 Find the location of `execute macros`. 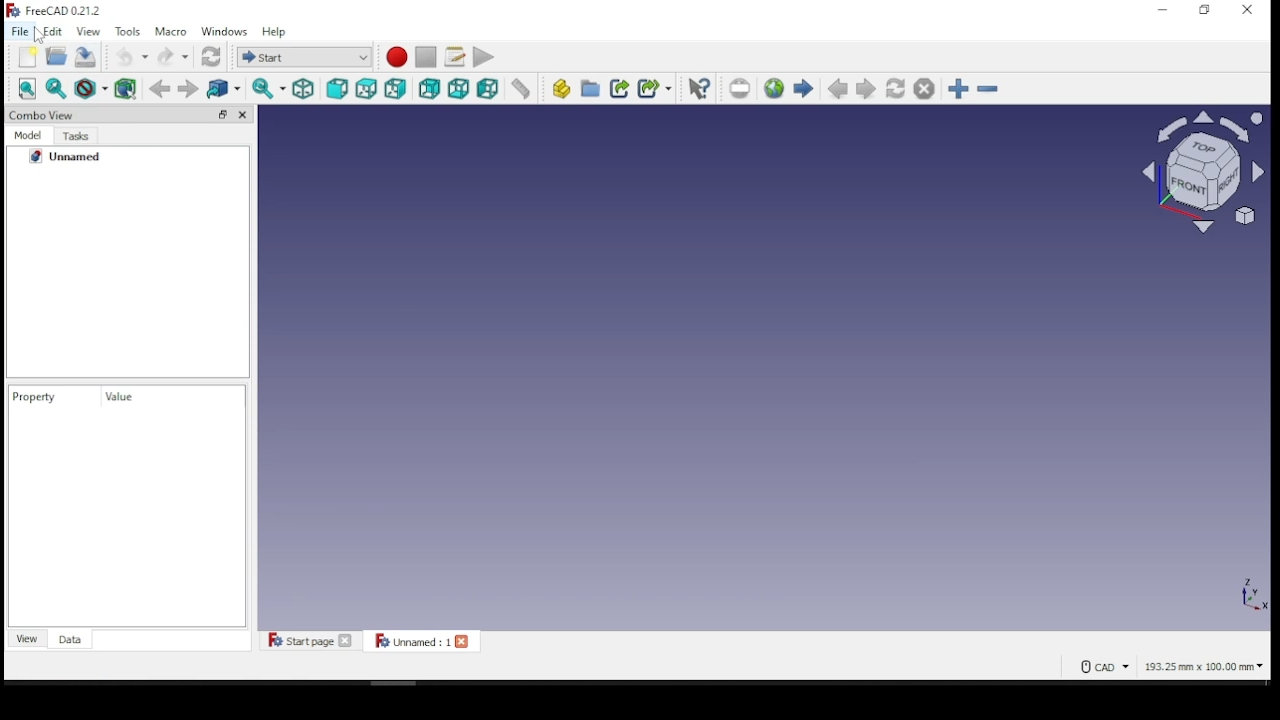

execute macros is located at coordinates (482, 58).